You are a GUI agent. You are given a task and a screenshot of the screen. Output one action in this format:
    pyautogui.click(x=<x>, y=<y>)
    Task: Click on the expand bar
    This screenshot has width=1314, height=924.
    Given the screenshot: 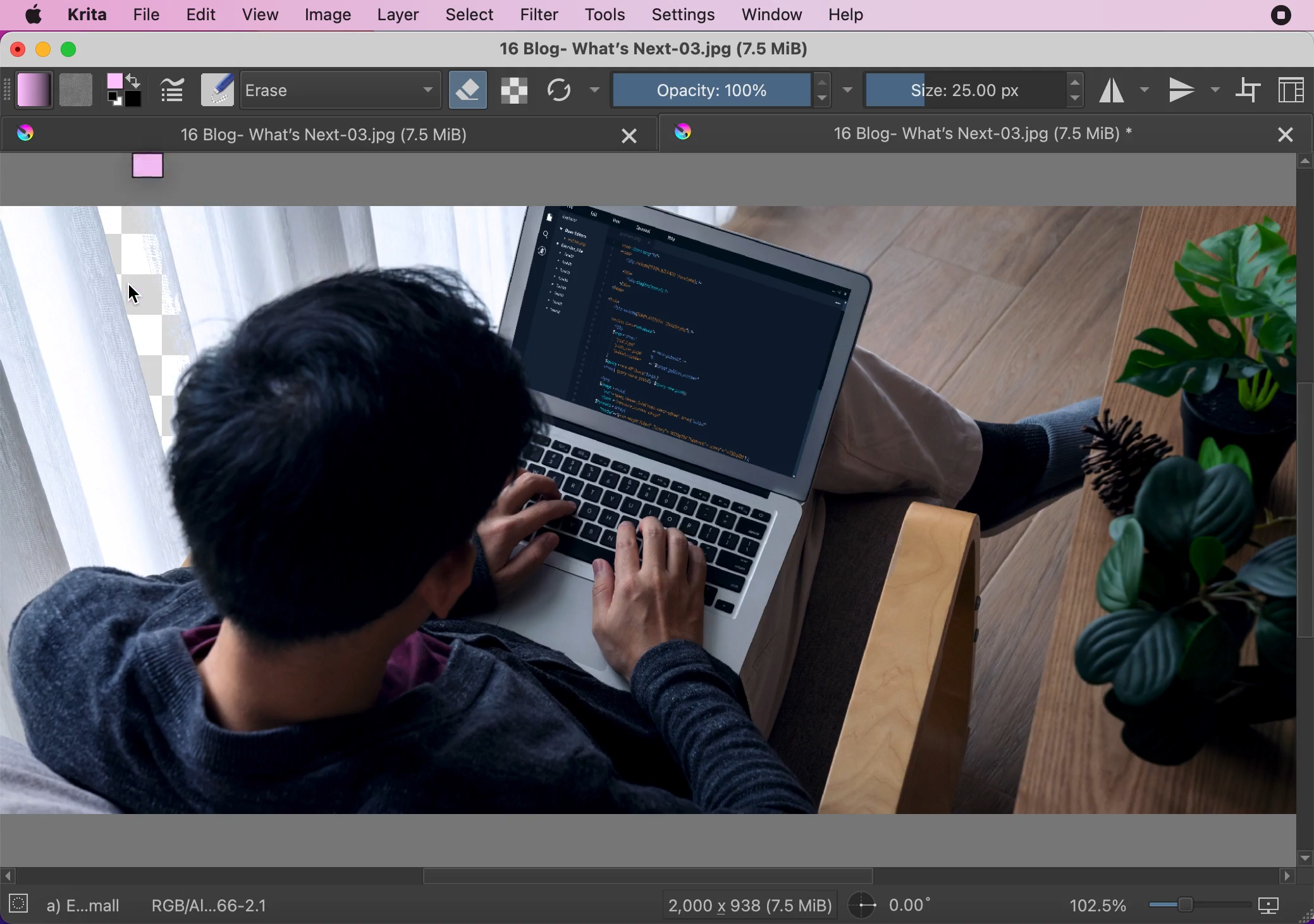 What is the action you would take?
    pyautogui.click(x=8, y=89)
    